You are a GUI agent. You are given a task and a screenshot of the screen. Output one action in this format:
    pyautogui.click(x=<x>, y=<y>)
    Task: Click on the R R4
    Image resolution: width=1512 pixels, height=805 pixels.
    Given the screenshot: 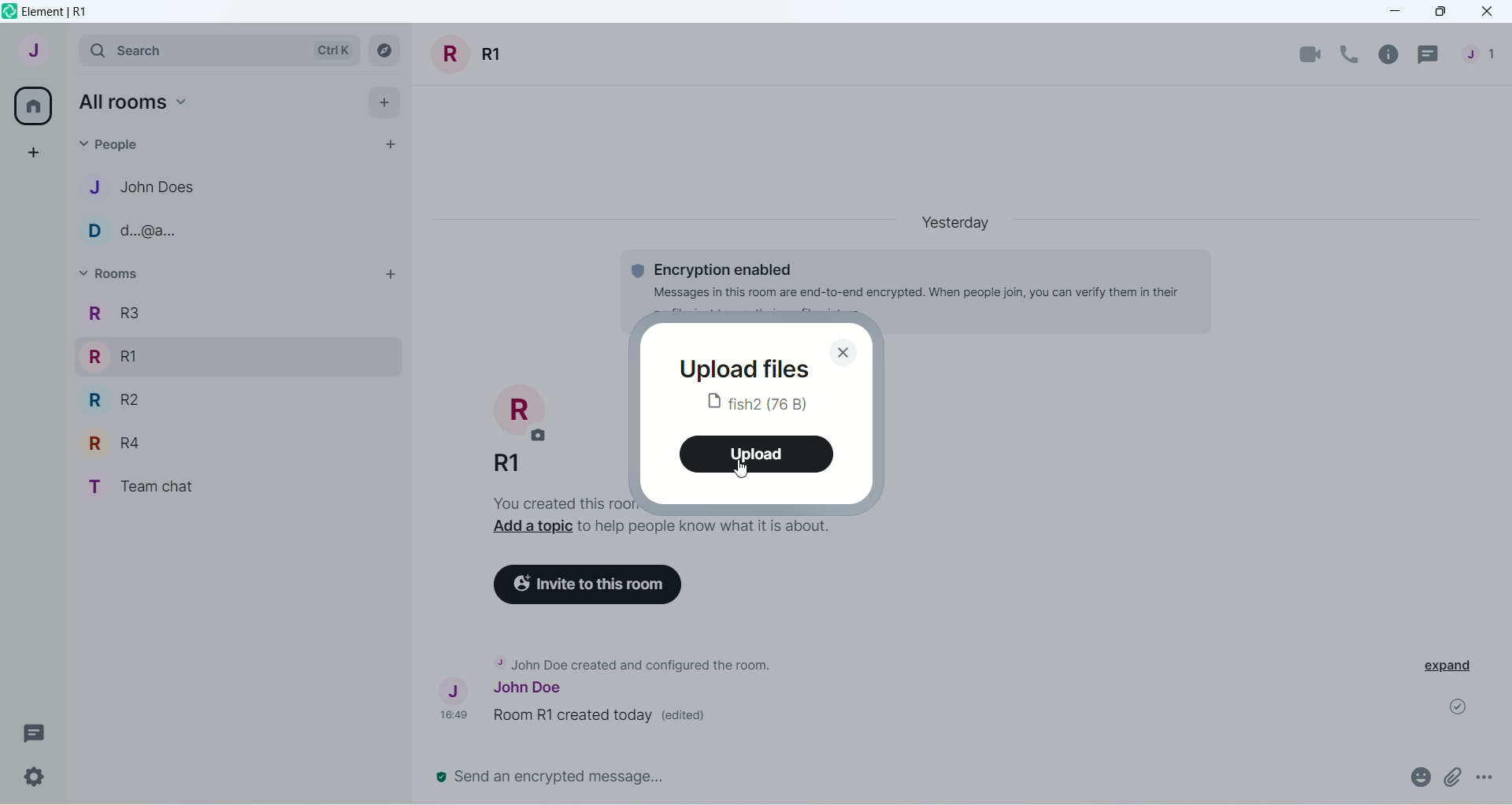 What is the action you would take?
    pyautogui.click(x=119, y=444)
    